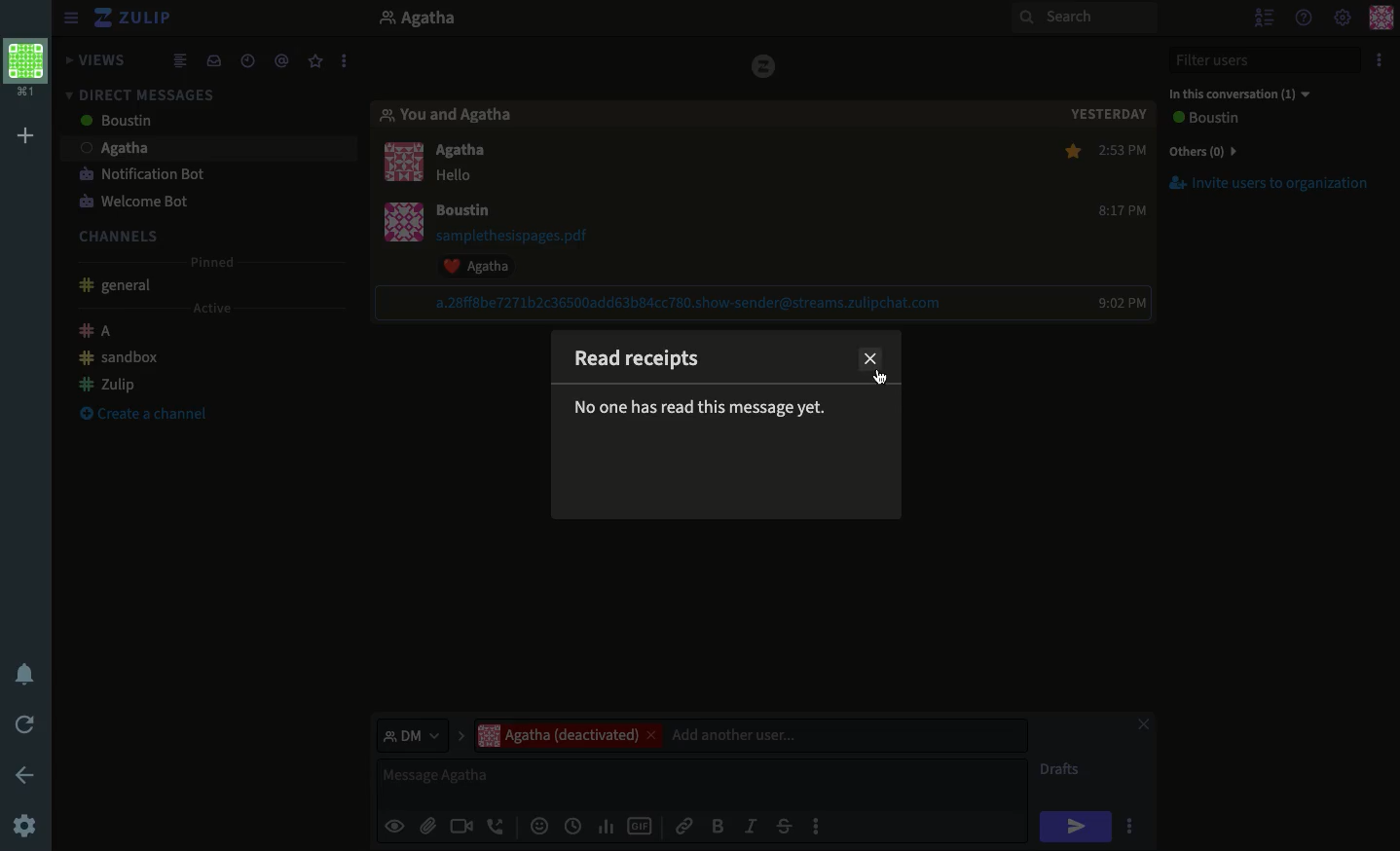 The height and width of the screenshot is (851, 1400). I want to click on Strikethrough, so click(784, 826).